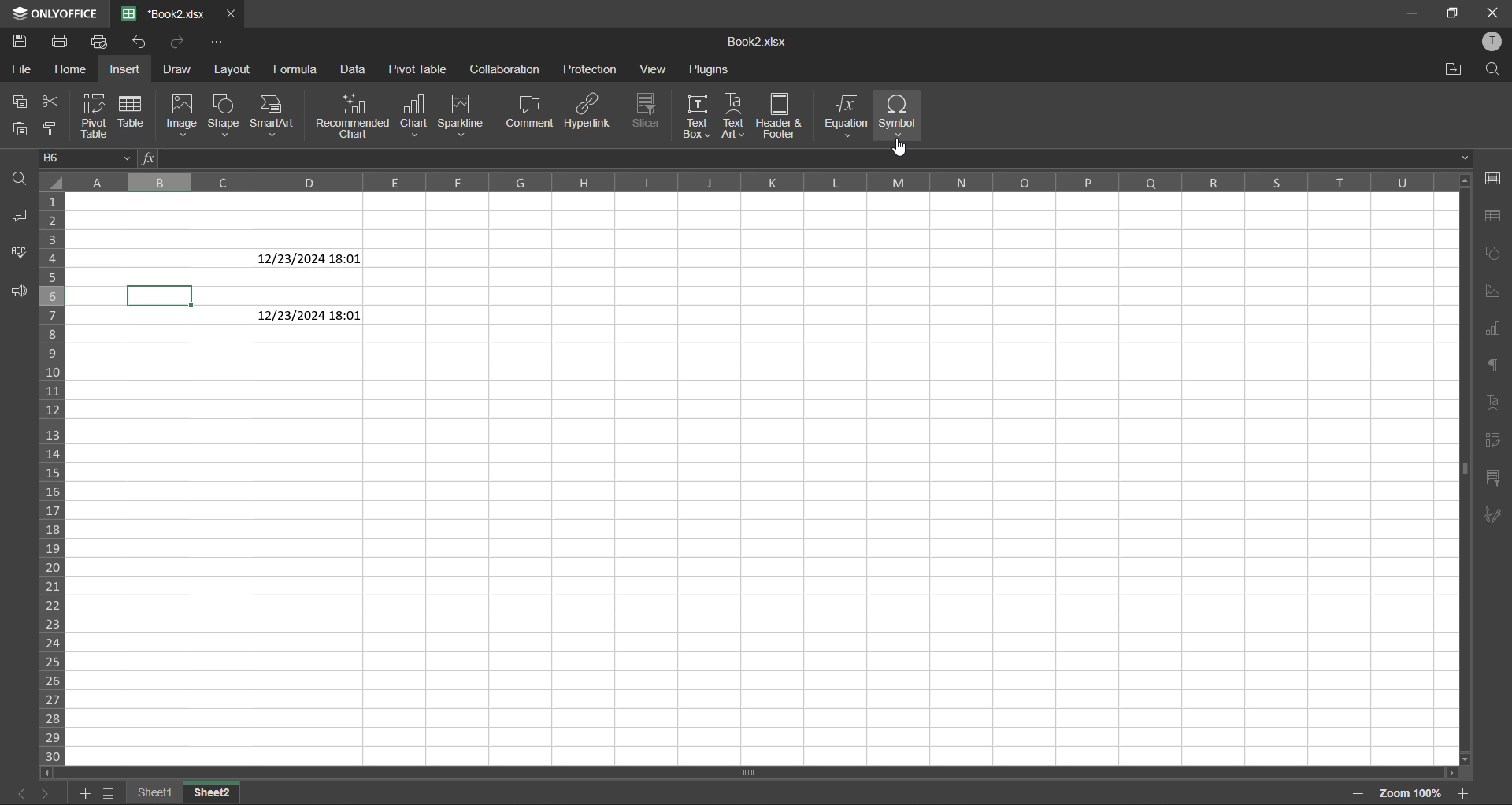 The width and height of the screenshot is (1512, 805). I want to click on quick print, so click(104, 42).